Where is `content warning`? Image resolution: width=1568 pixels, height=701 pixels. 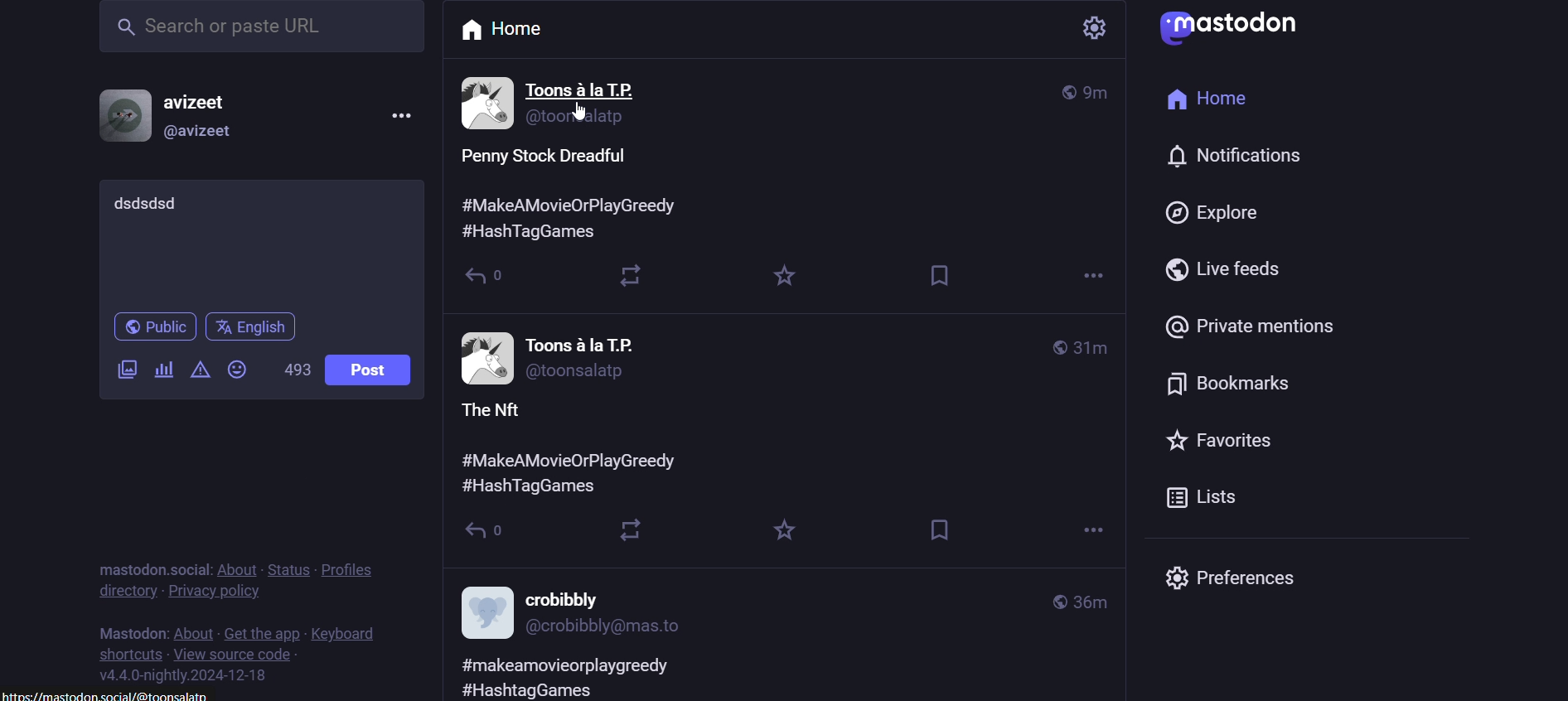
content warning is located at coordinates (198, 372).